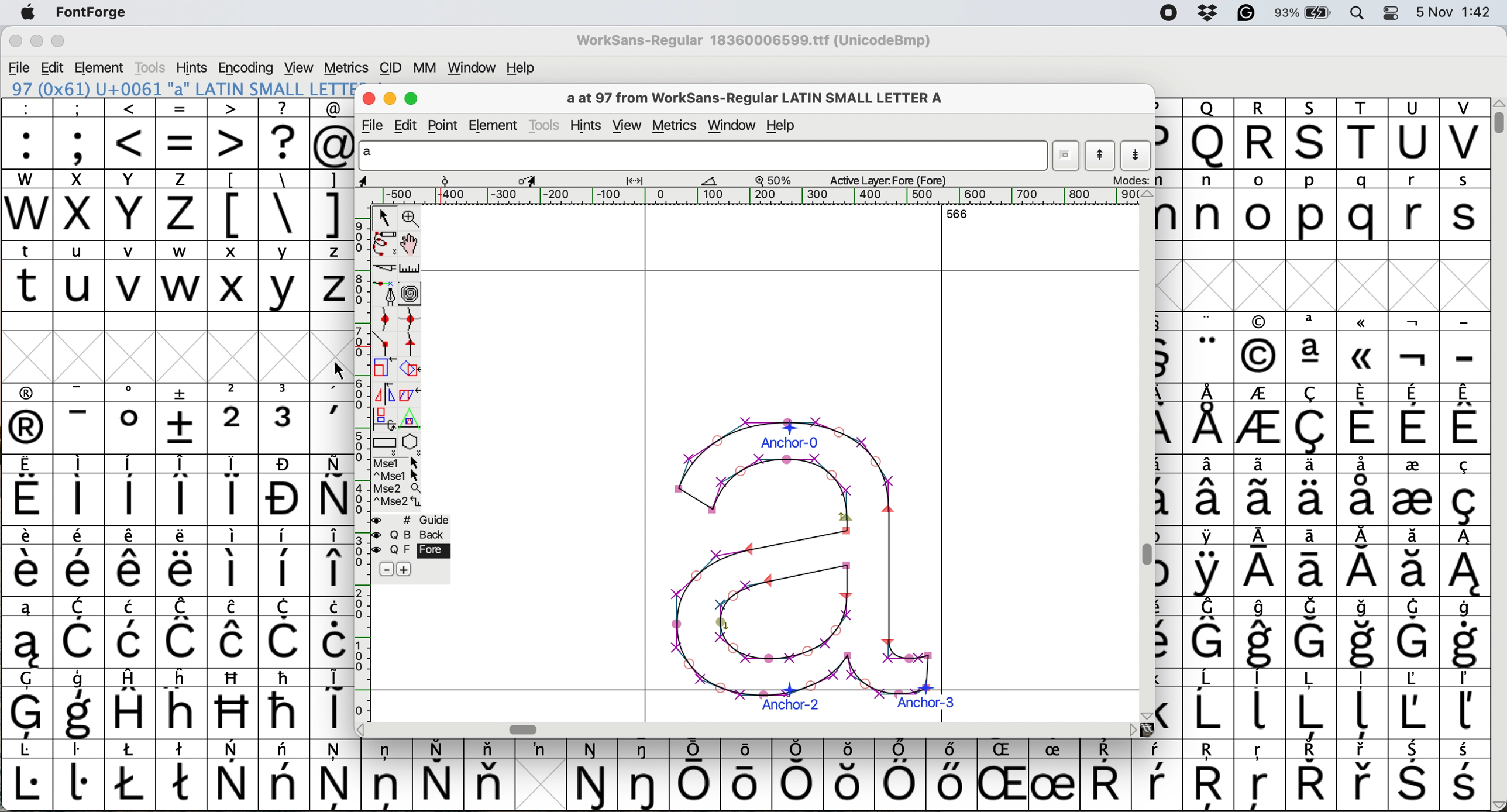 The image size is (1507, 812). Describe the element at coordinates (80, 705) in the screenshot. I see `symbol` at that location.